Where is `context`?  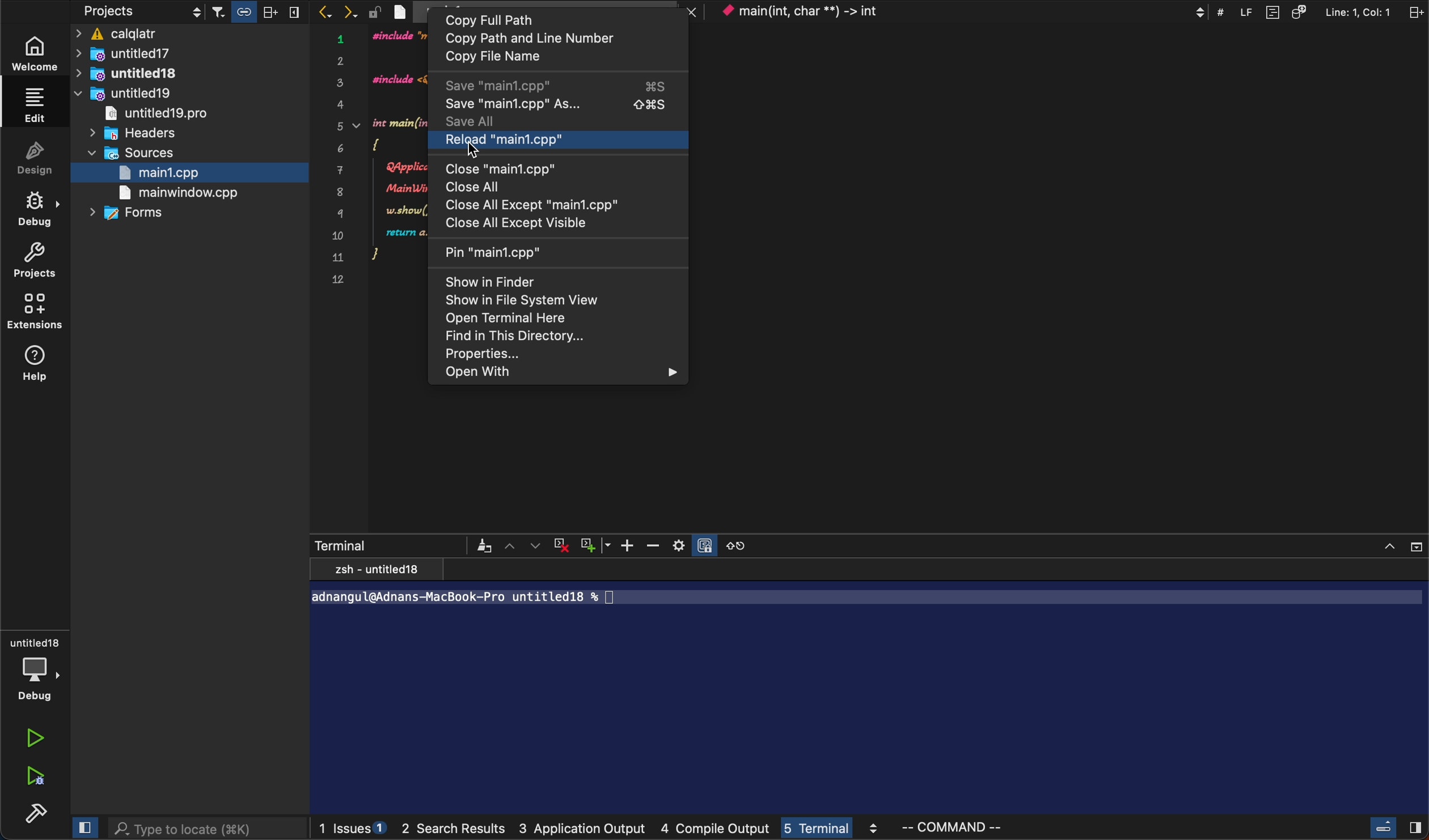
context is located at coordinates (954, 12).